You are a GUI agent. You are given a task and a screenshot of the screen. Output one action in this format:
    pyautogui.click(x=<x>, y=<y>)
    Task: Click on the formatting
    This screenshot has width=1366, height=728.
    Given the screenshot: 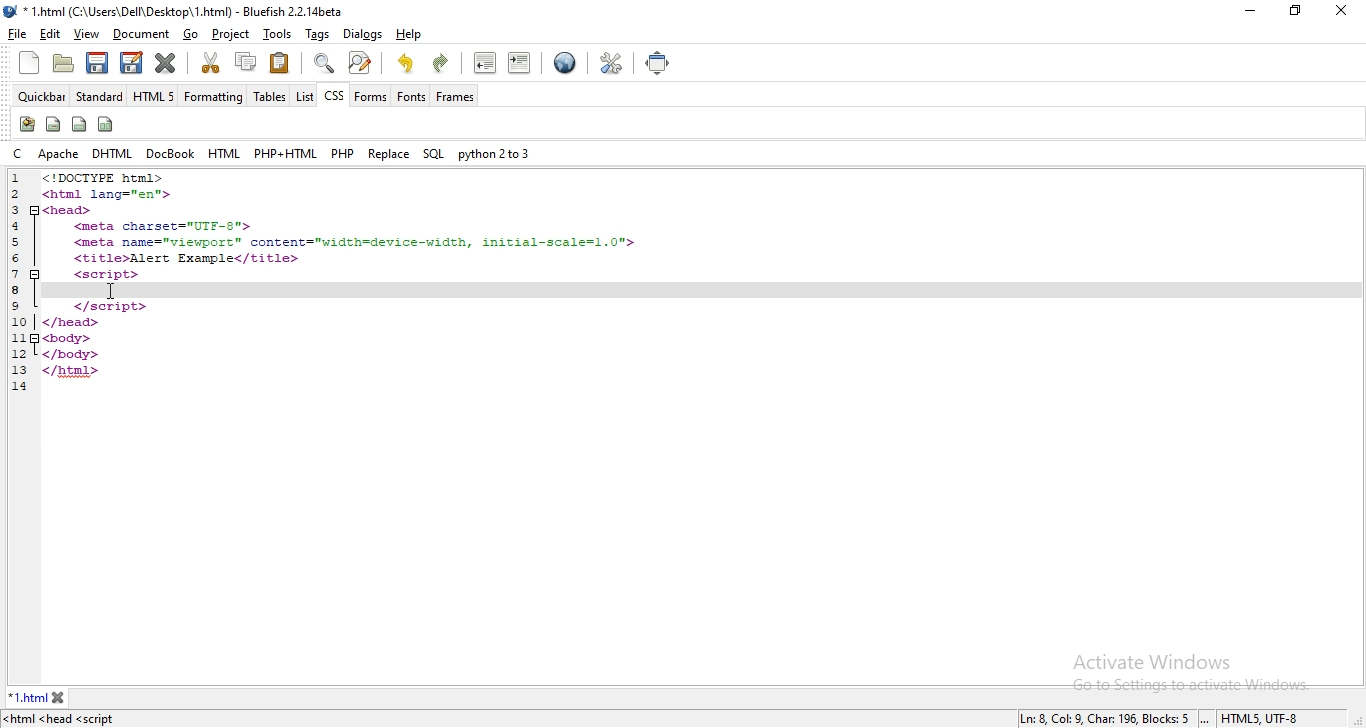 What is the action you would take?
    pyautogui.click(x=211, y=96)
    